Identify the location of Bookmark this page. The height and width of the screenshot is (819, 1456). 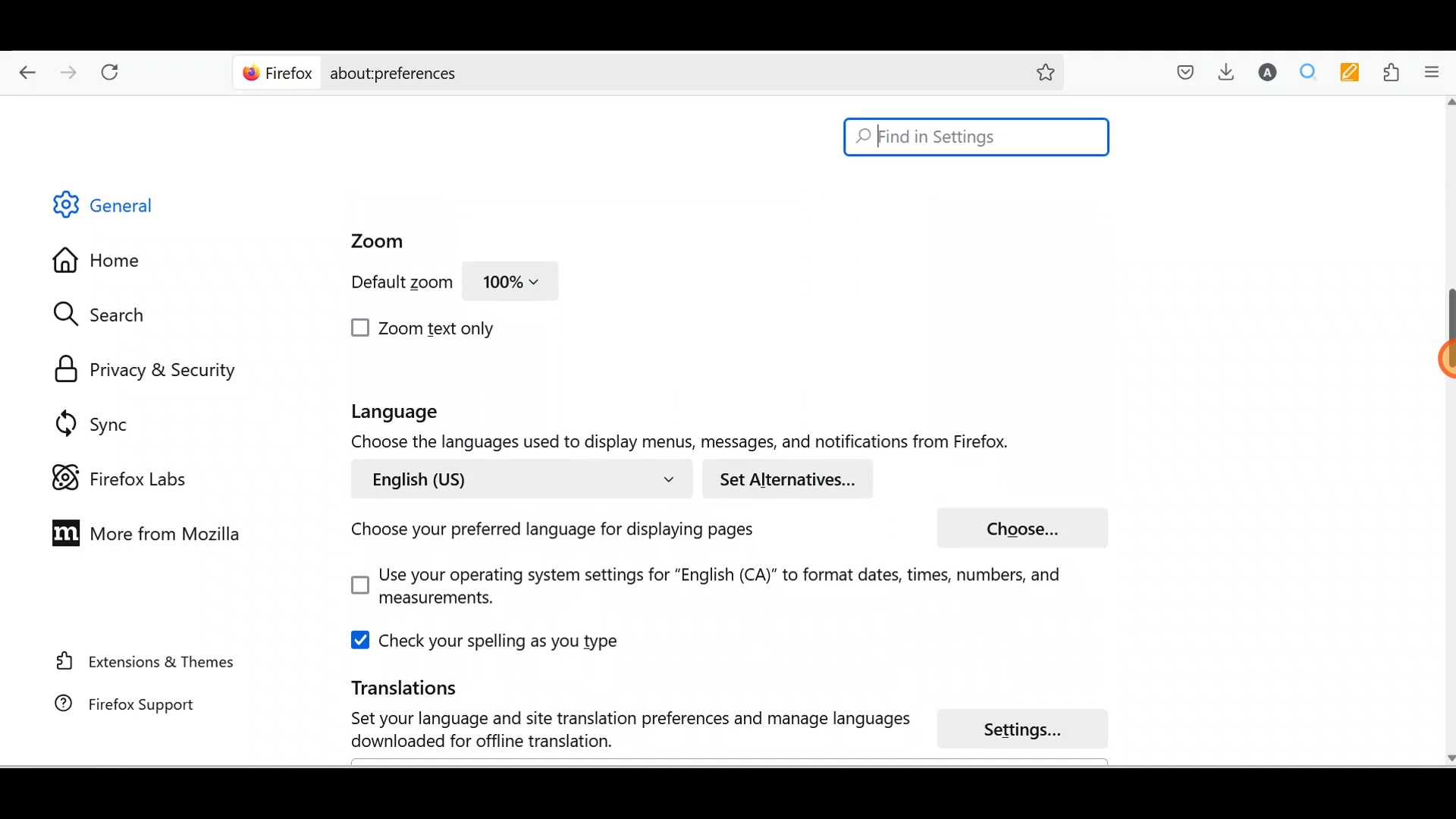
(1034, 71).